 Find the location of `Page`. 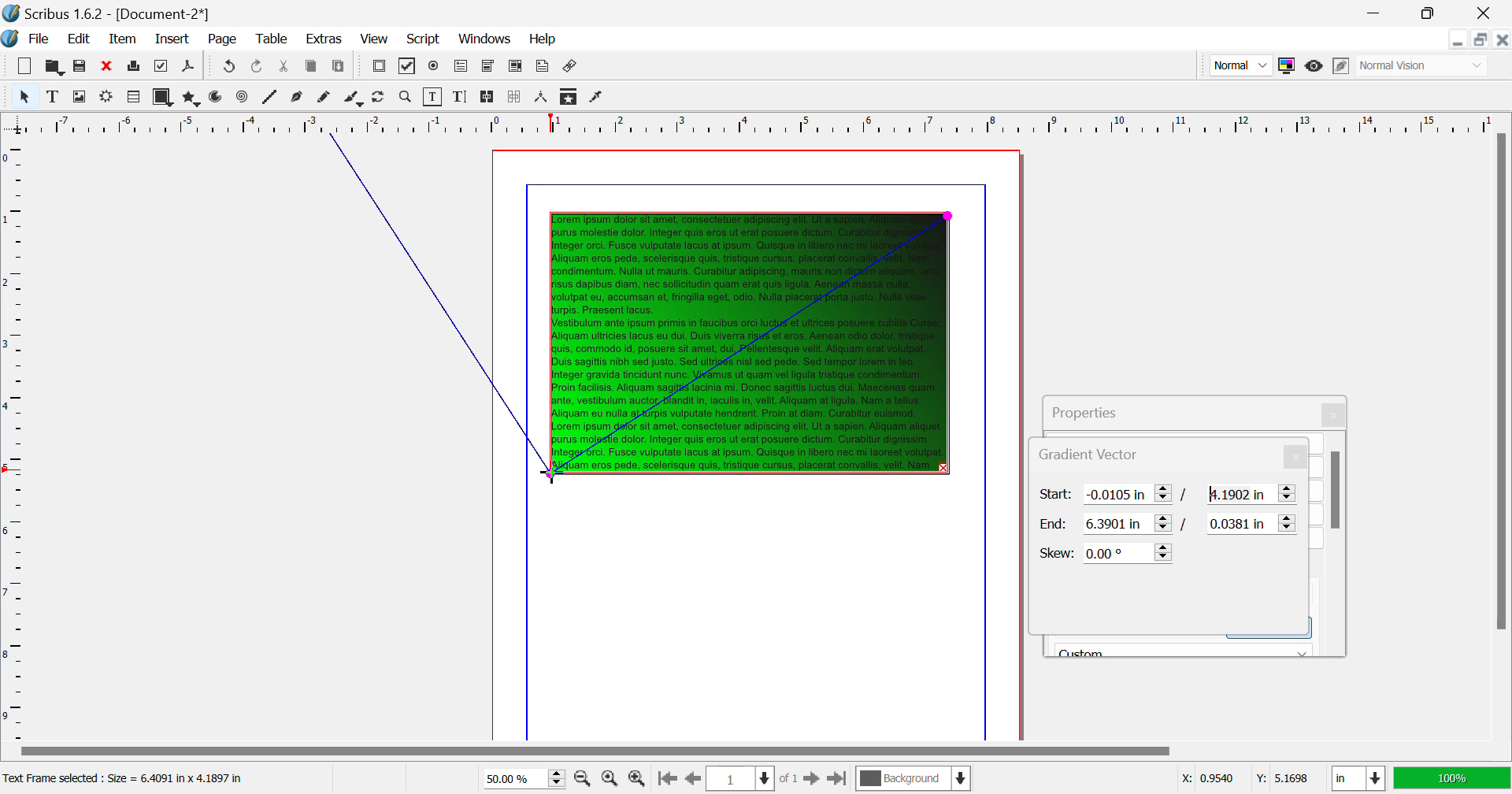

Page is located at coordinates (221, 40).